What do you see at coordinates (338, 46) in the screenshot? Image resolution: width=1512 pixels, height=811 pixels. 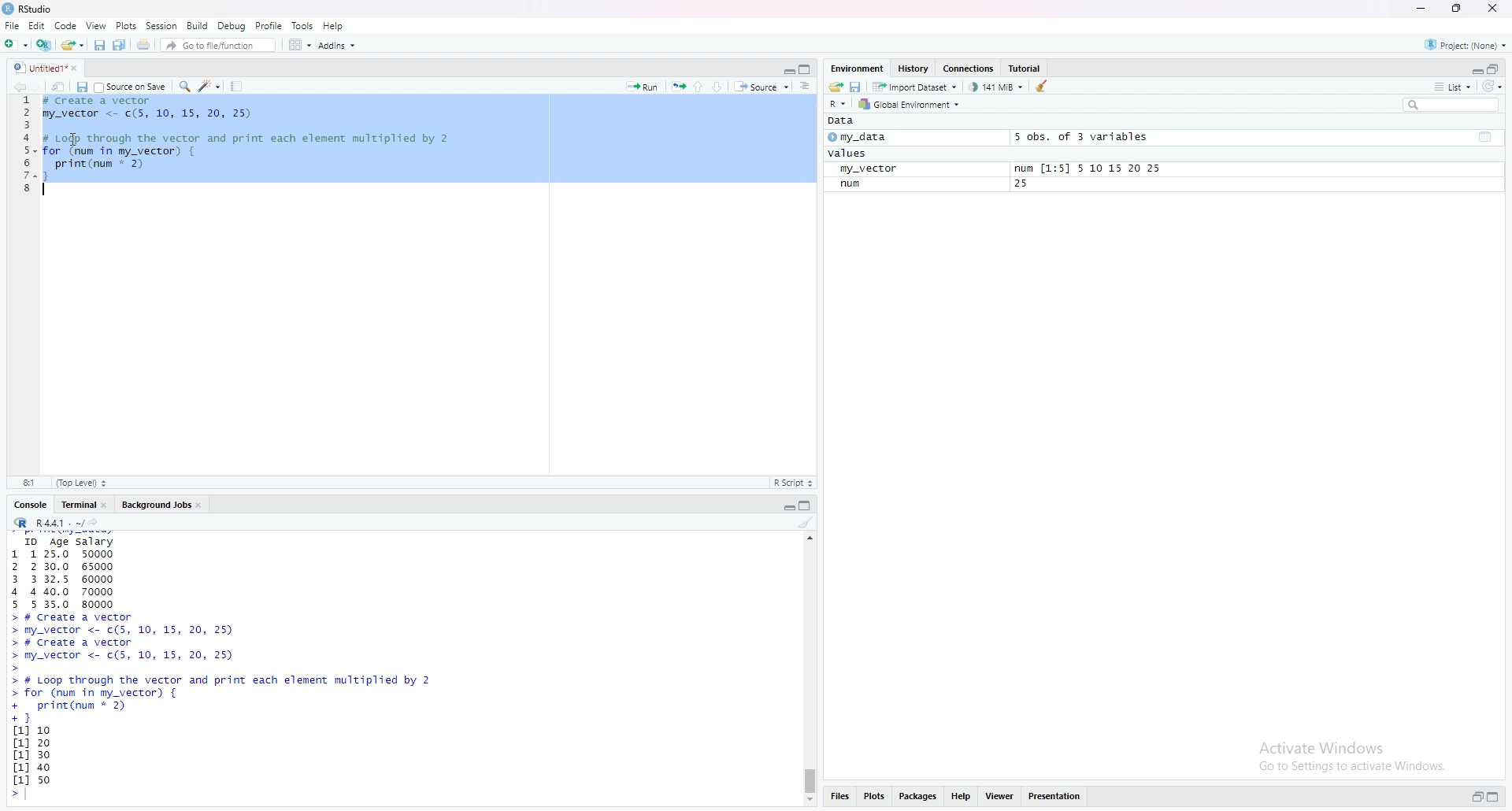 I see `Addins` at bounding box center [338, 46].